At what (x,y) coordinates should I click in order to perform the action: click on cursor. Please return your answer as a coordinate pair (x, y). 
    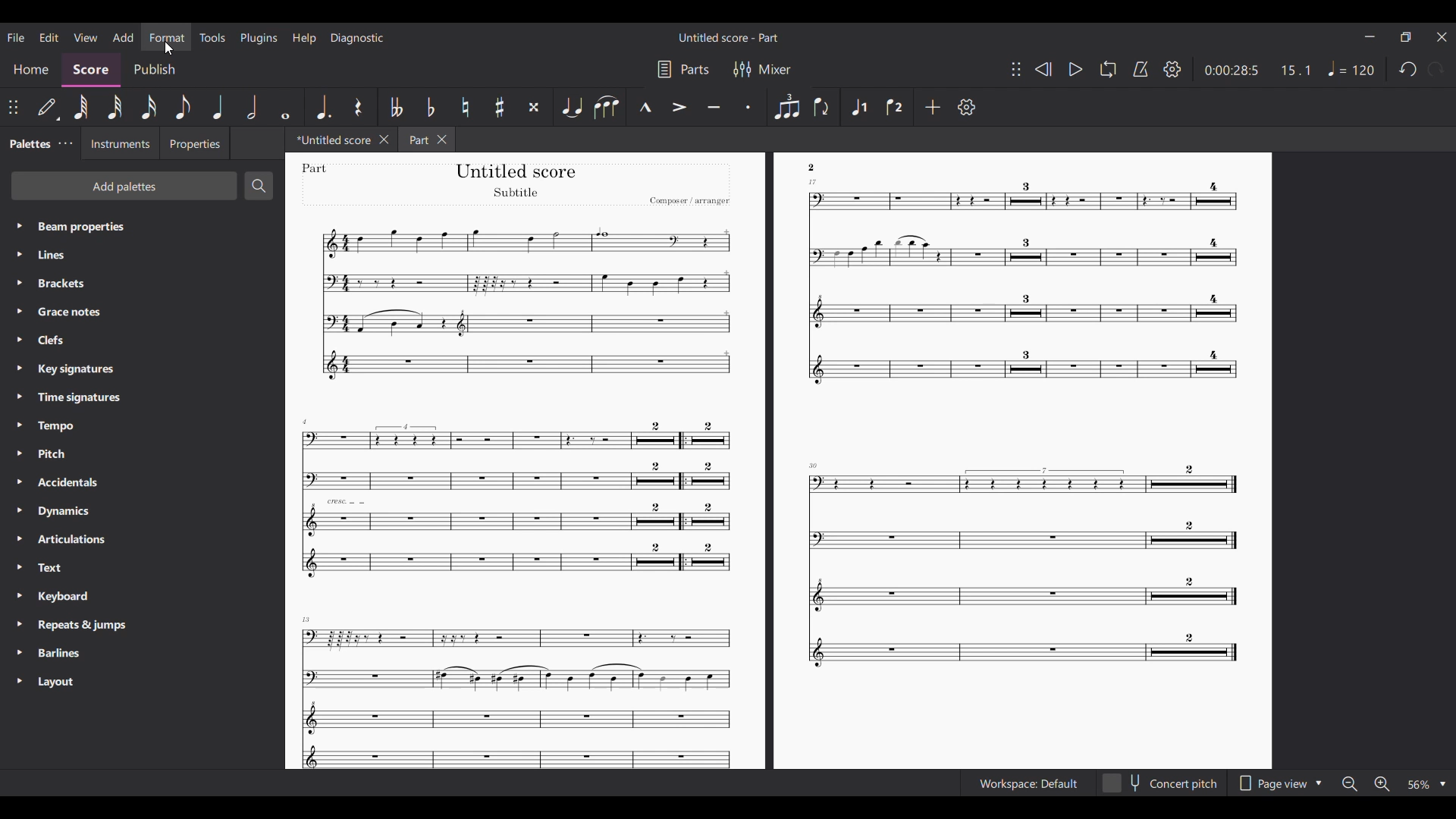
    Looking at the image, I should click on (170, 49).